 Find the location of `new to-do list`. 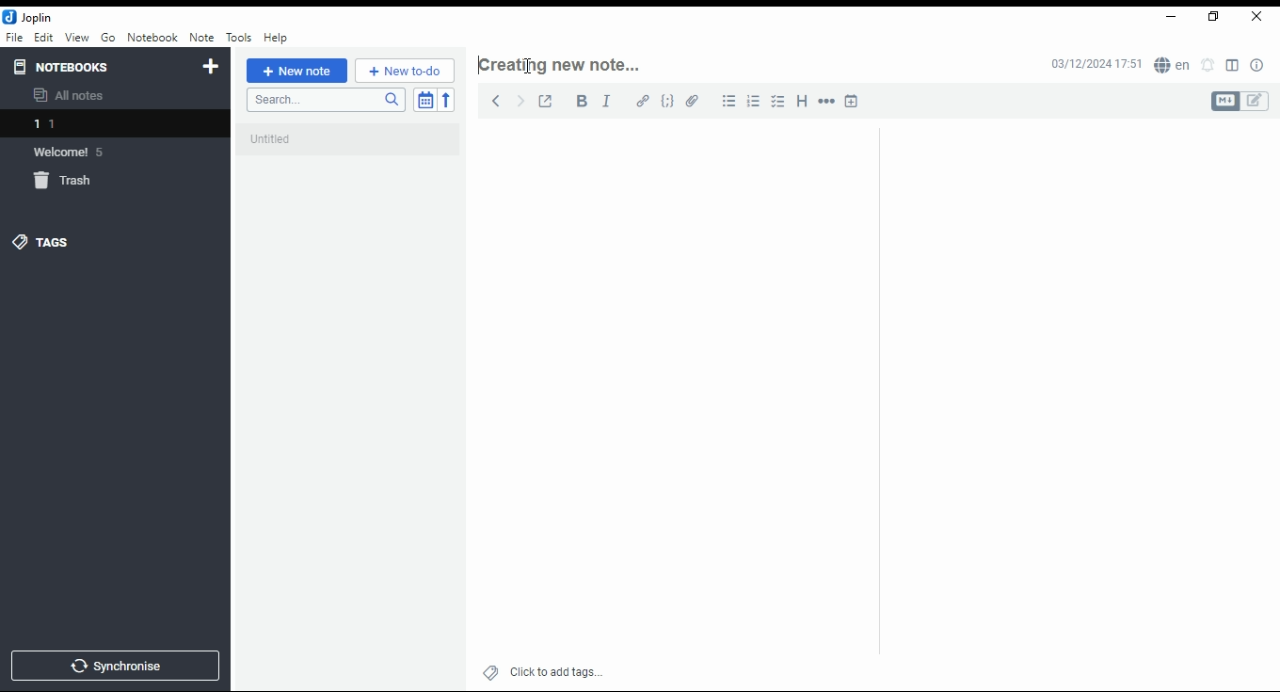

new to-do list is located at coordinates (405, 71).